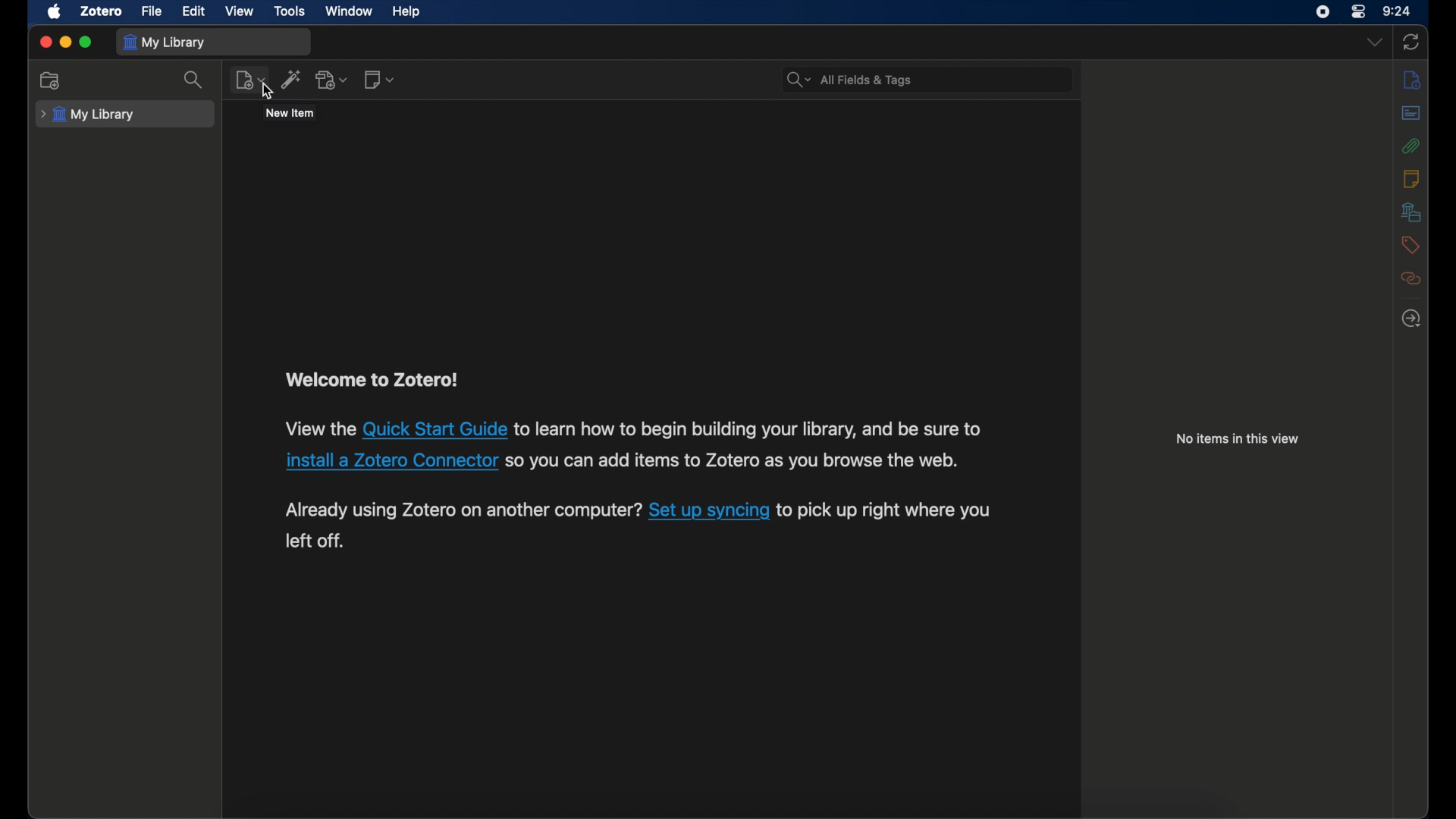 Image resolution: width=1456 pixels, height=819 pixels. What do you see at coordinates (288, 115) in the screenshot?
I see `tooltip` at bounding box center [288, 115].